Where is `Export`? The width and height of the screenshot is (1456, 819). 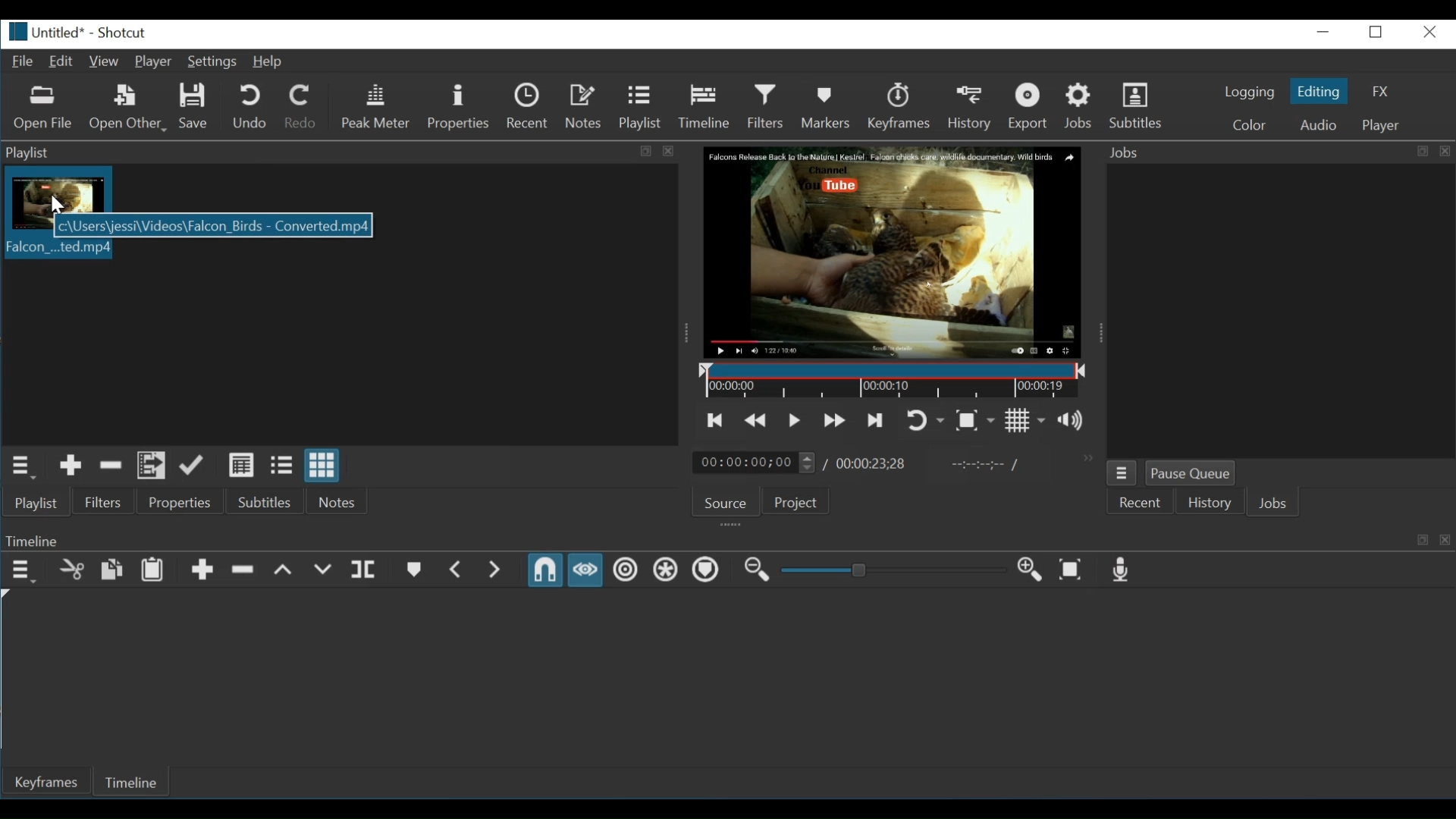
Export is located at coordinates (1034, 106).